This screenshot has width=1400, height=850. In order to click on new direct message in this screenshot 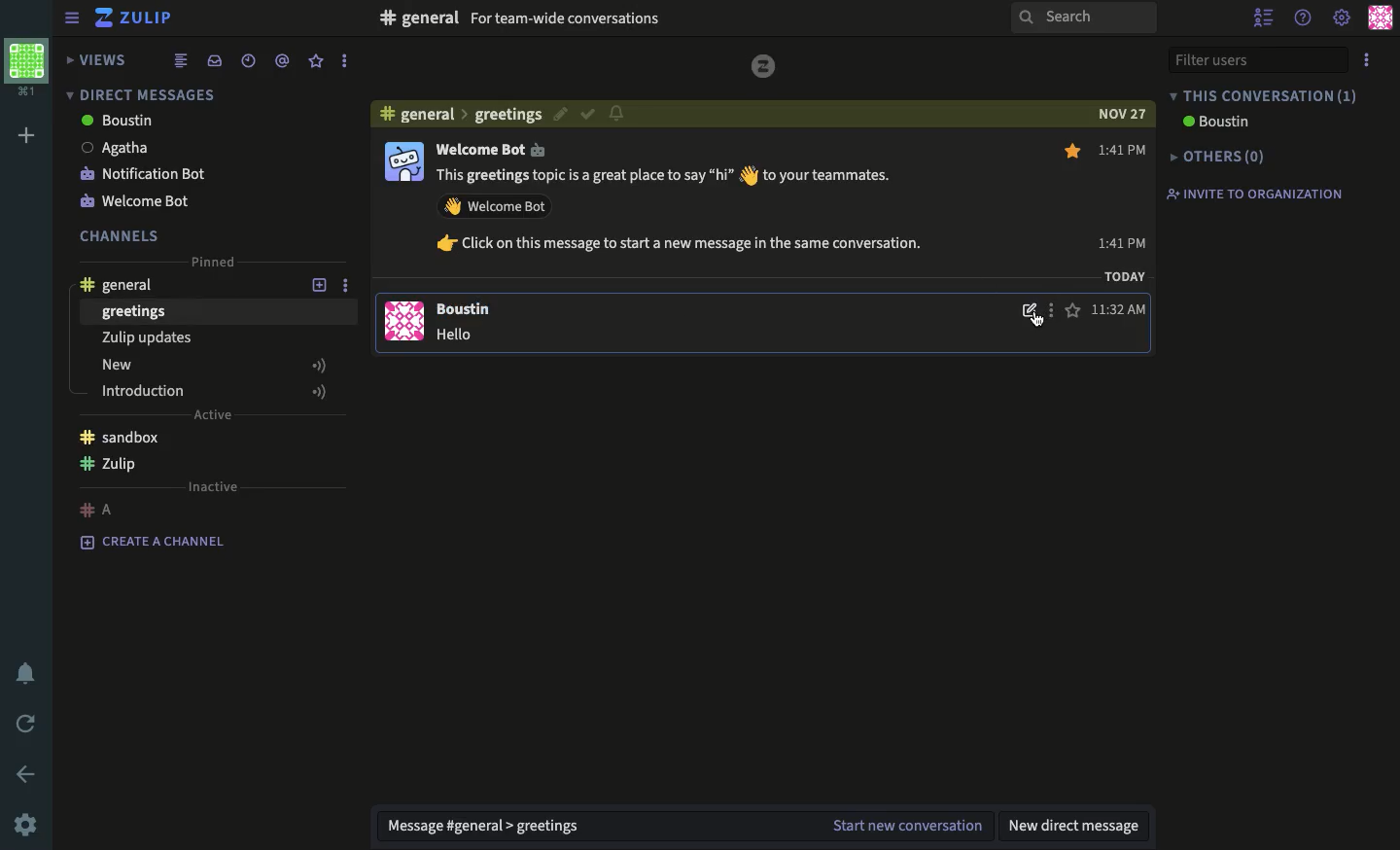, I will do `click(1079, 826)`.